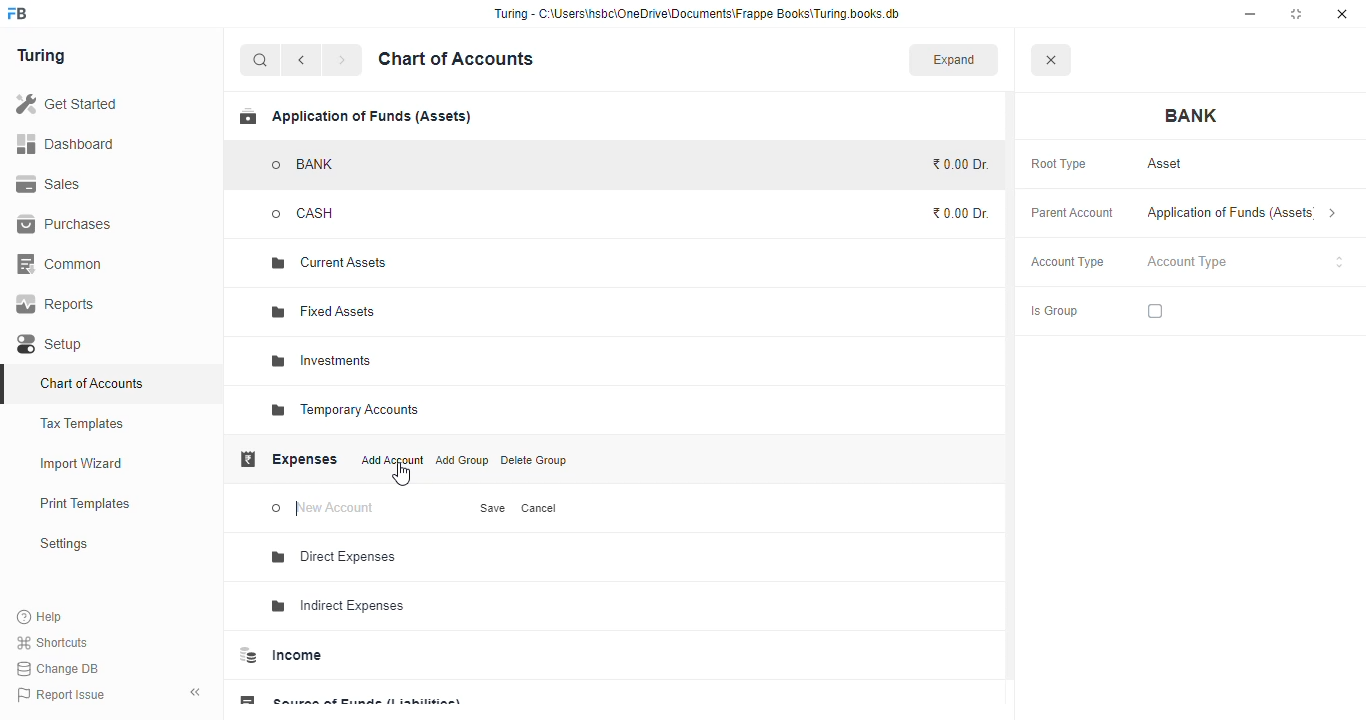  I want to click on CASH, so click(324, 213).